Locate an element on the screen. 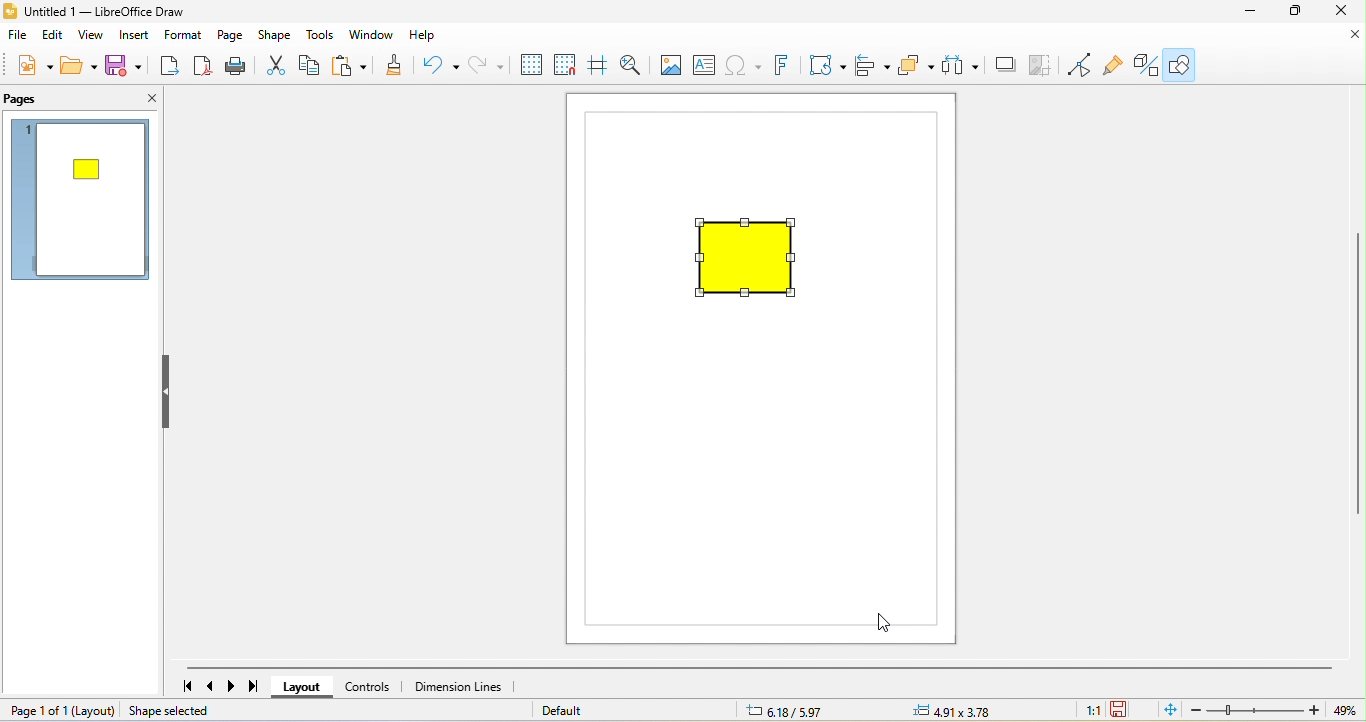  new  is located at coordinates (34, 62).